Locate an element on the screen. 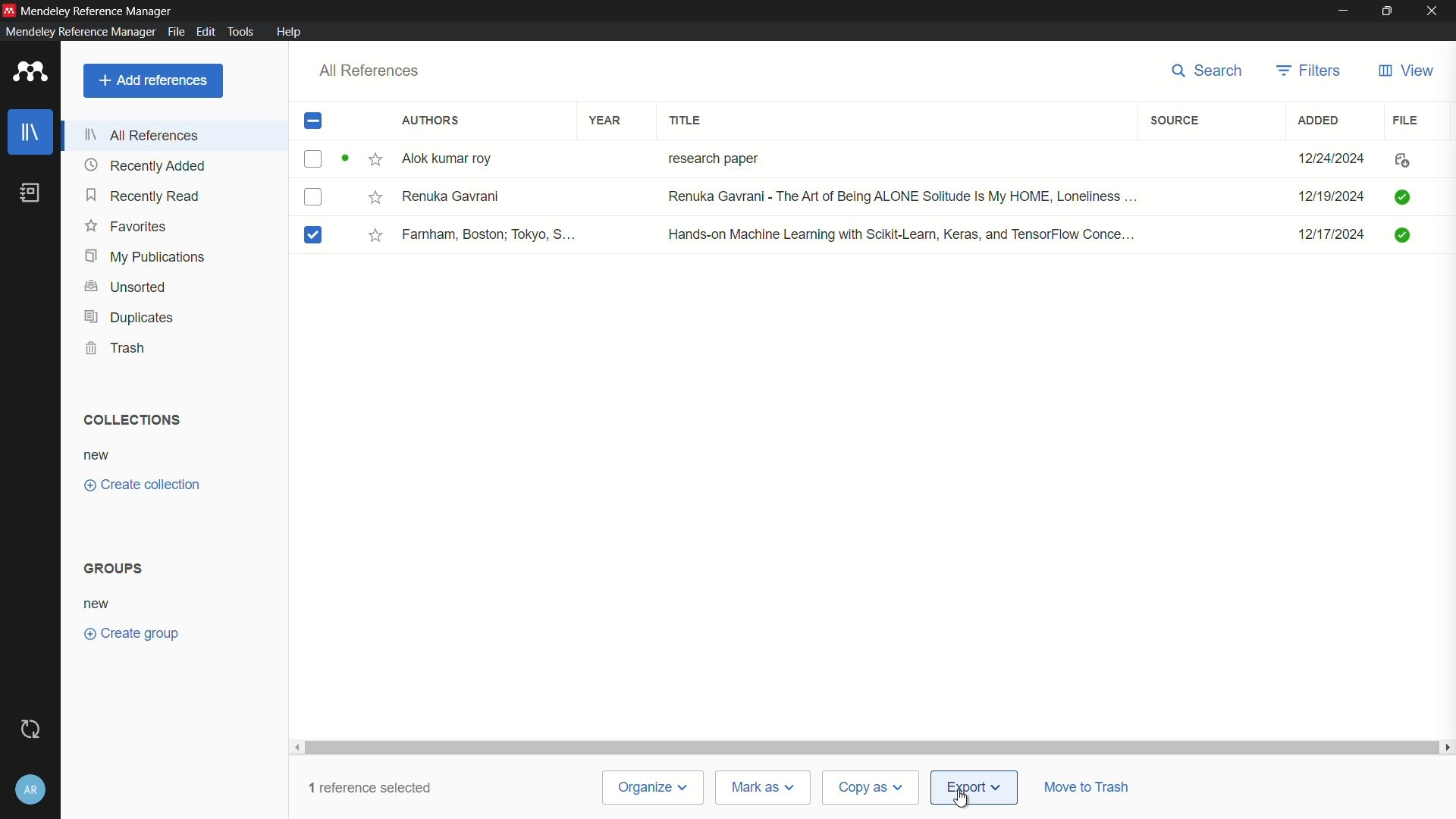 The image size is (1456, 819). 12/24/2024 is located at coordinates (1330, 155).